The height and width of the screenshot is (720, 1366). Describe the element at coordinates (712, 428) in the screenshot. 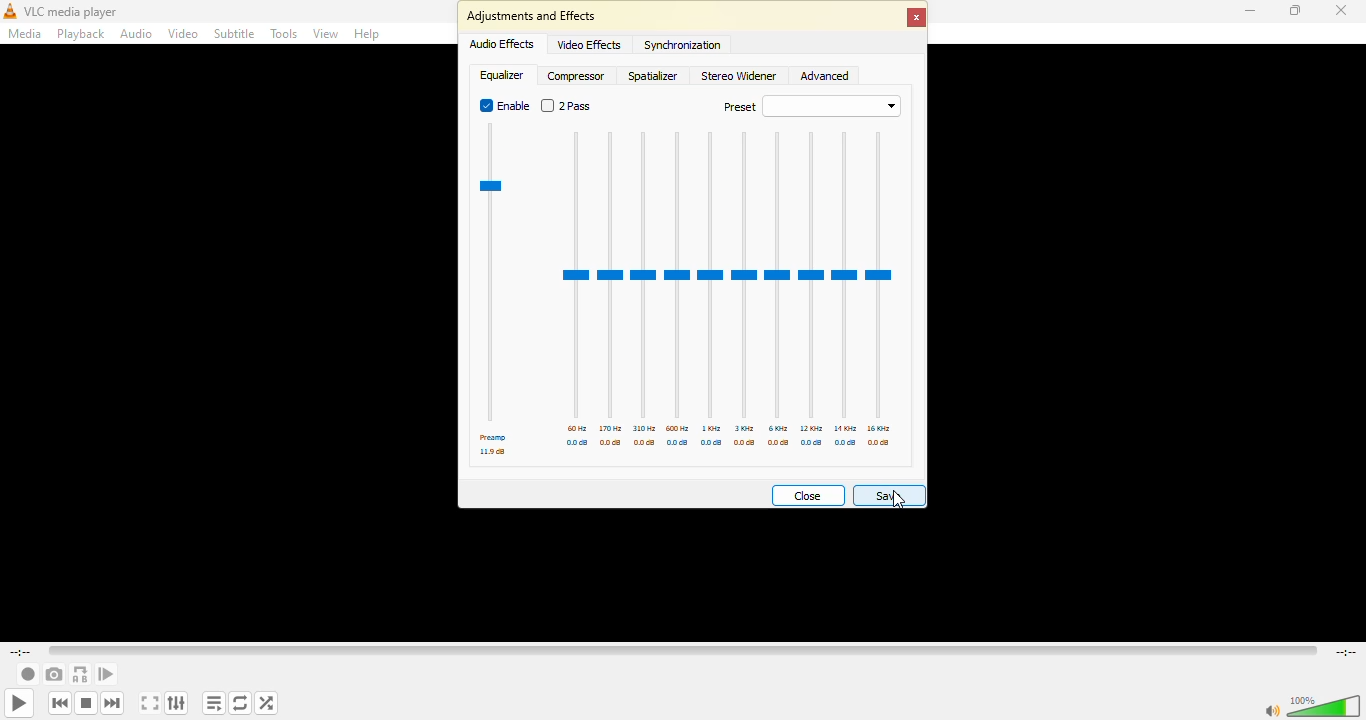

I see `1 khz` at that location.